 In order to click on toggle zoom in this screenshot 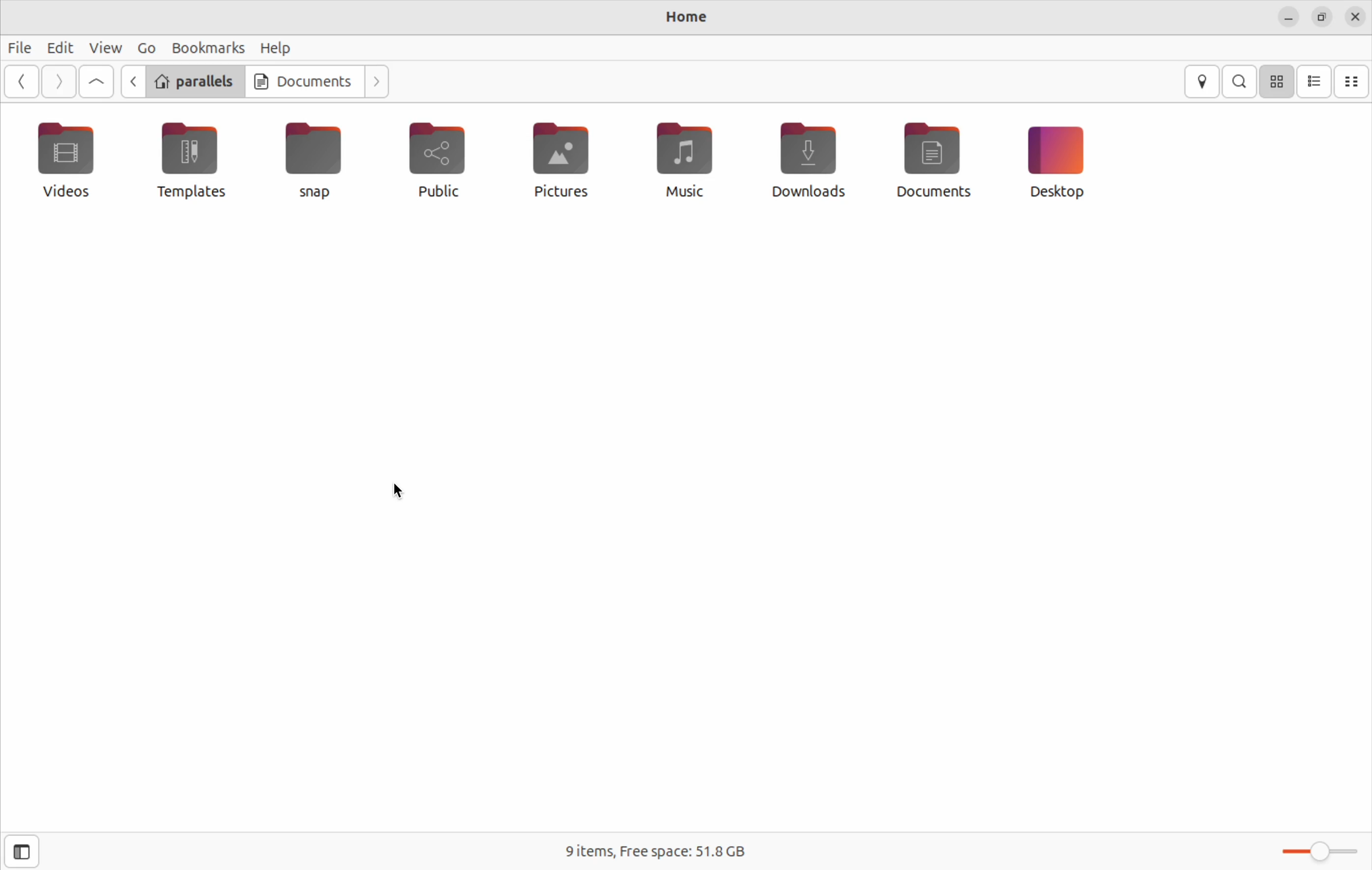, I will do `click(1320, 853)`.